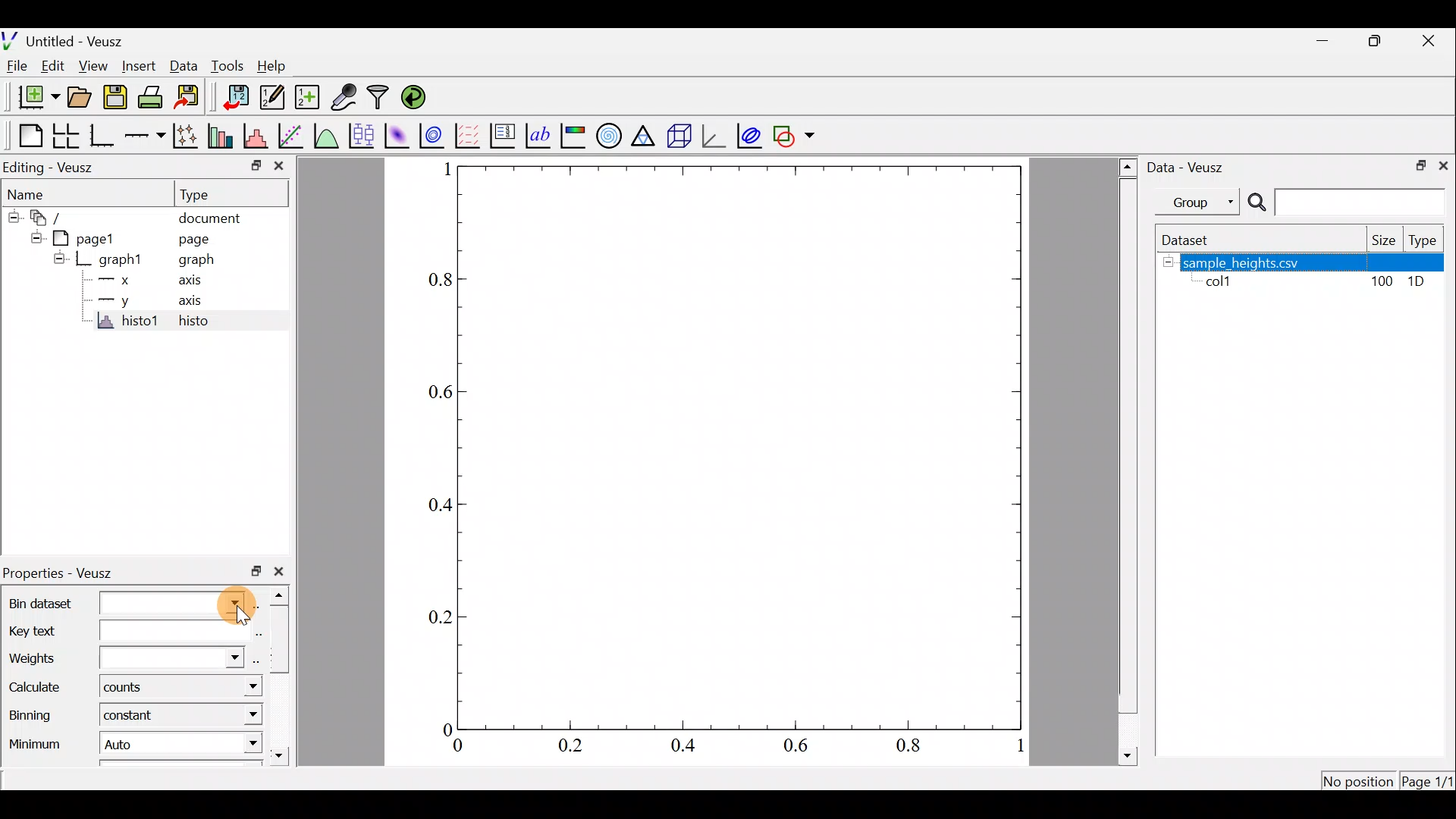 This screenshot has height=819, width=1456. Describe the element at coordinates (272, 97) in the screenshot. I see `edit and enter new datasets` at that location.